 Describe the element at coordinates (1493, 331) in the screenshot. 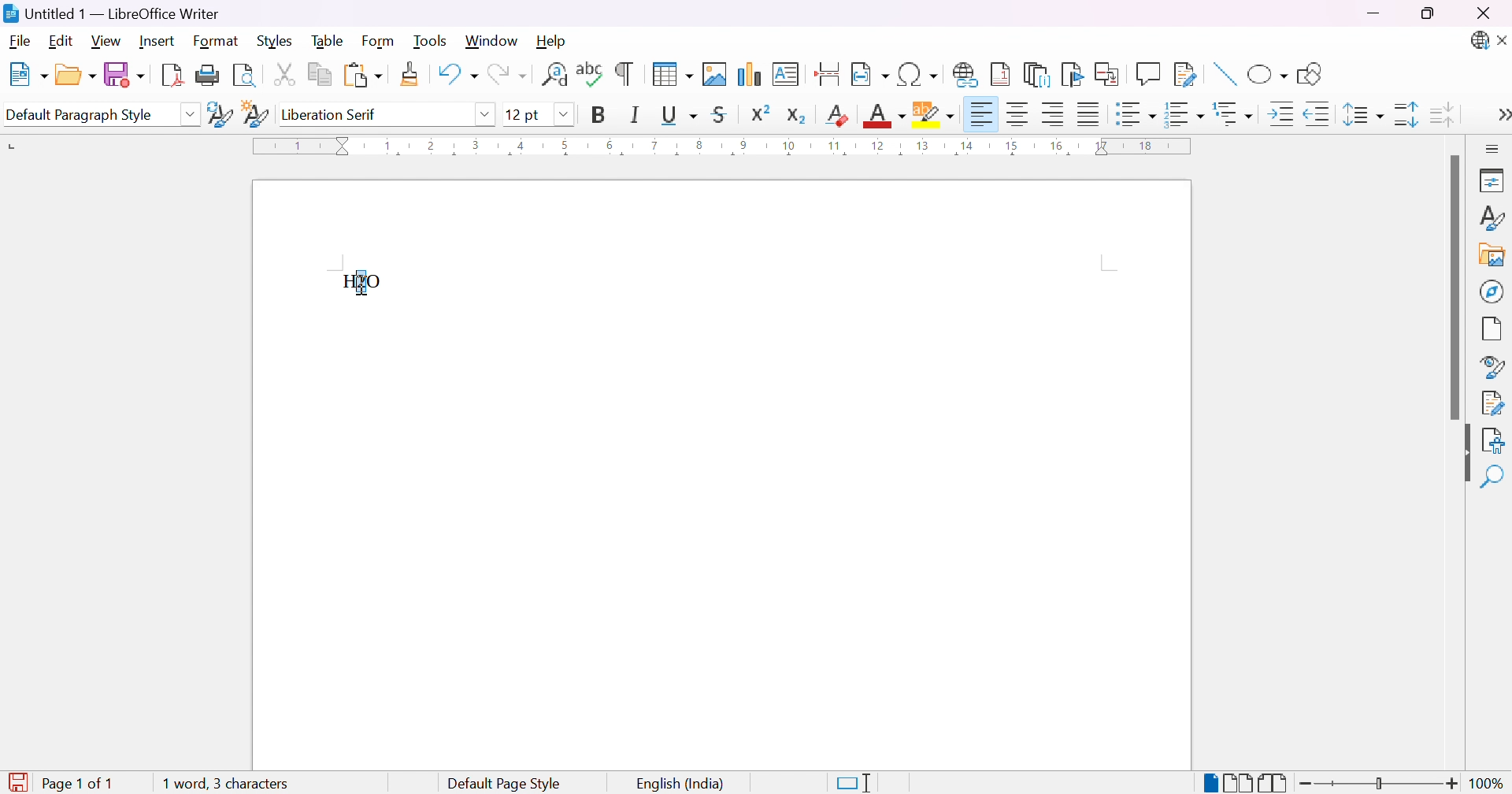

I see `Page` at that location.